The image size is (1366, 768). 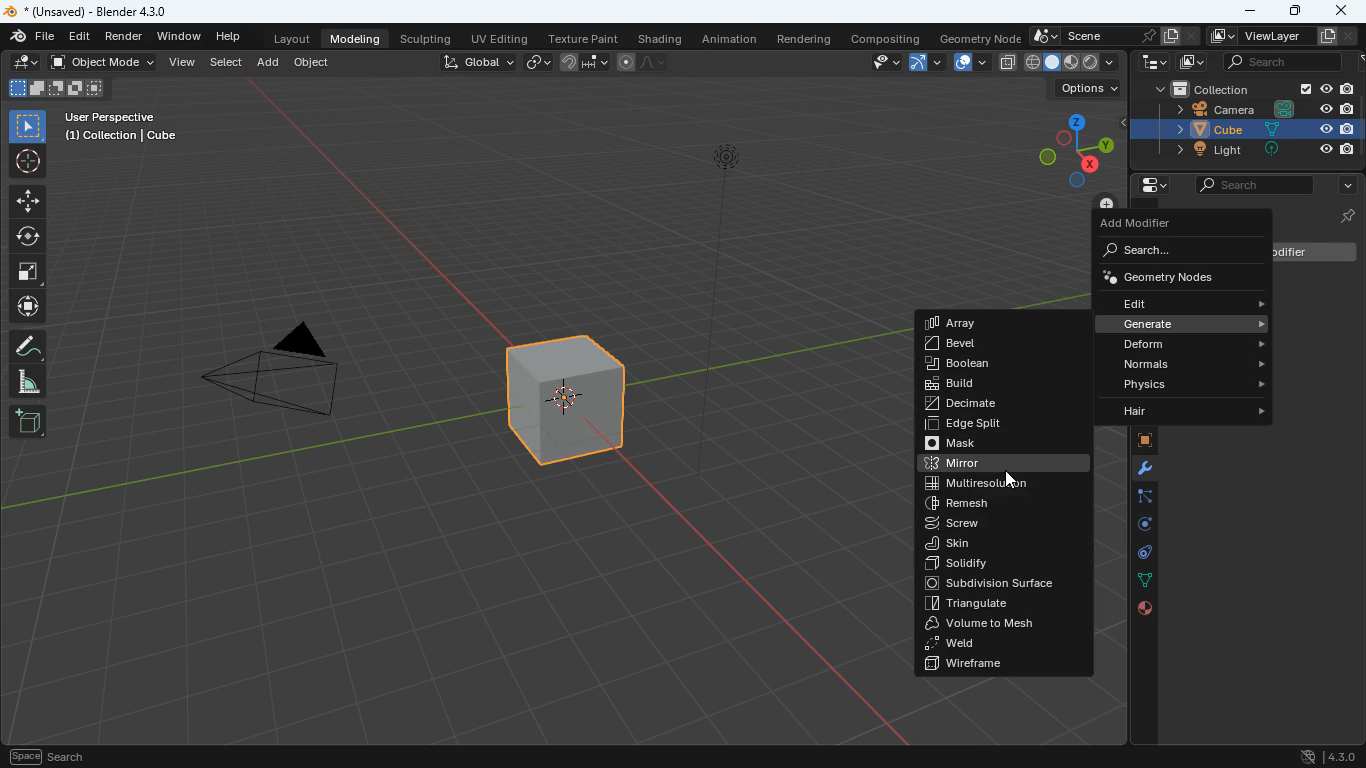 What do you see at coordinates (1113, 37) in the screenshot?
I see `scene` at bounding box center [1113, 37].